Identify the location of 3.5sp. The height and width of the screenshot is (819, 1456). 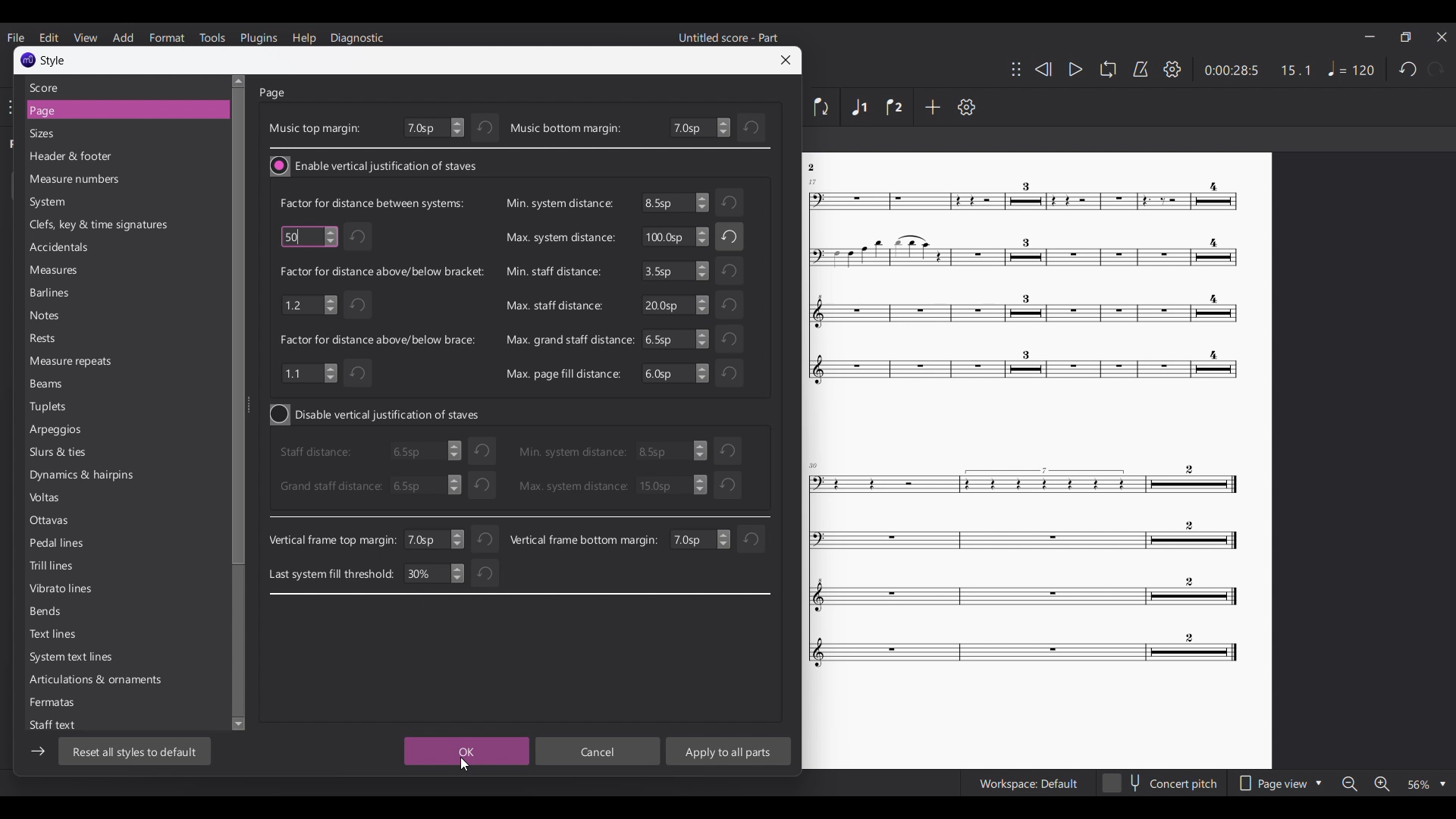
(674, 271).